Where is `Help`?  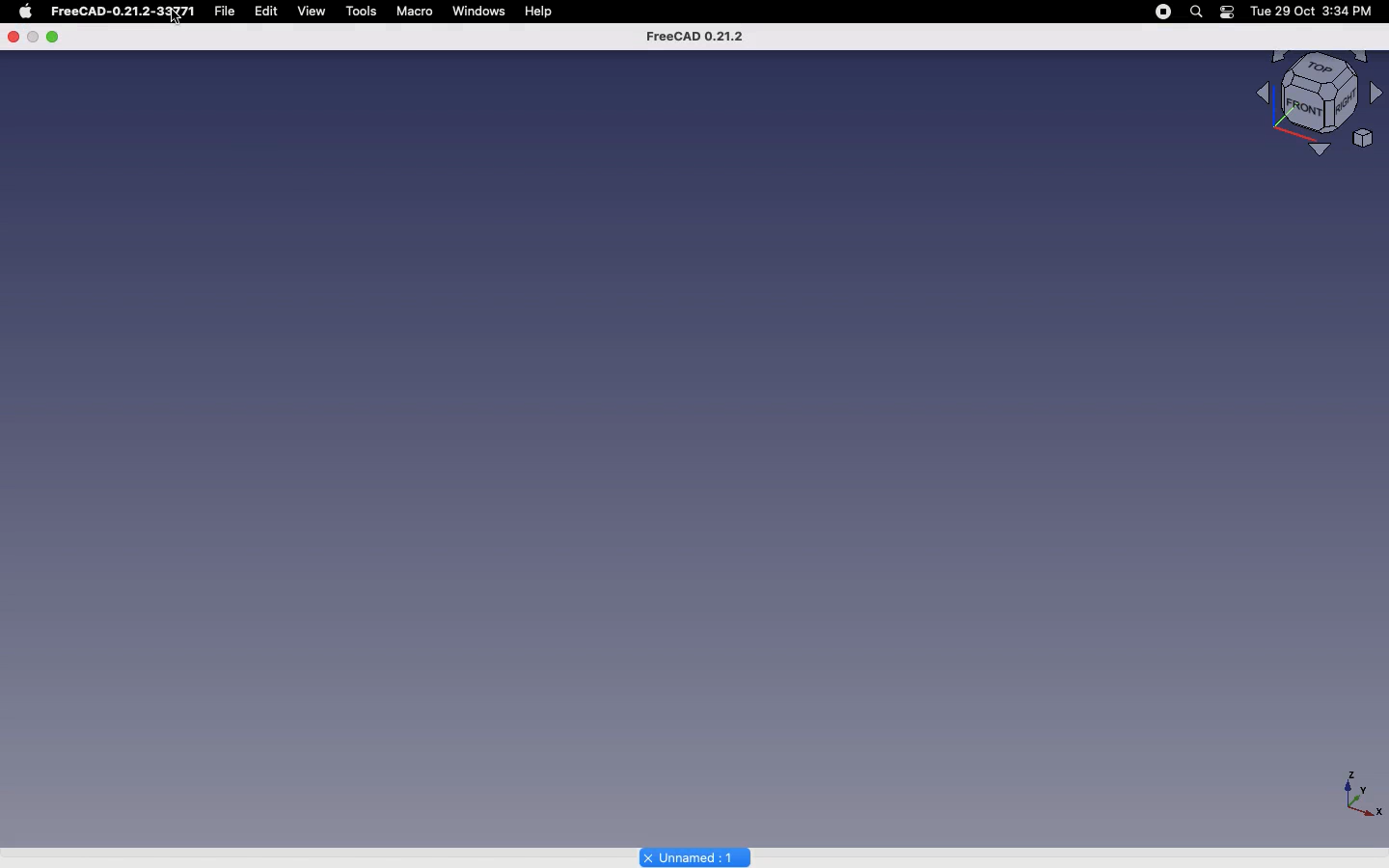
Help is located at coordinates (542, 11).